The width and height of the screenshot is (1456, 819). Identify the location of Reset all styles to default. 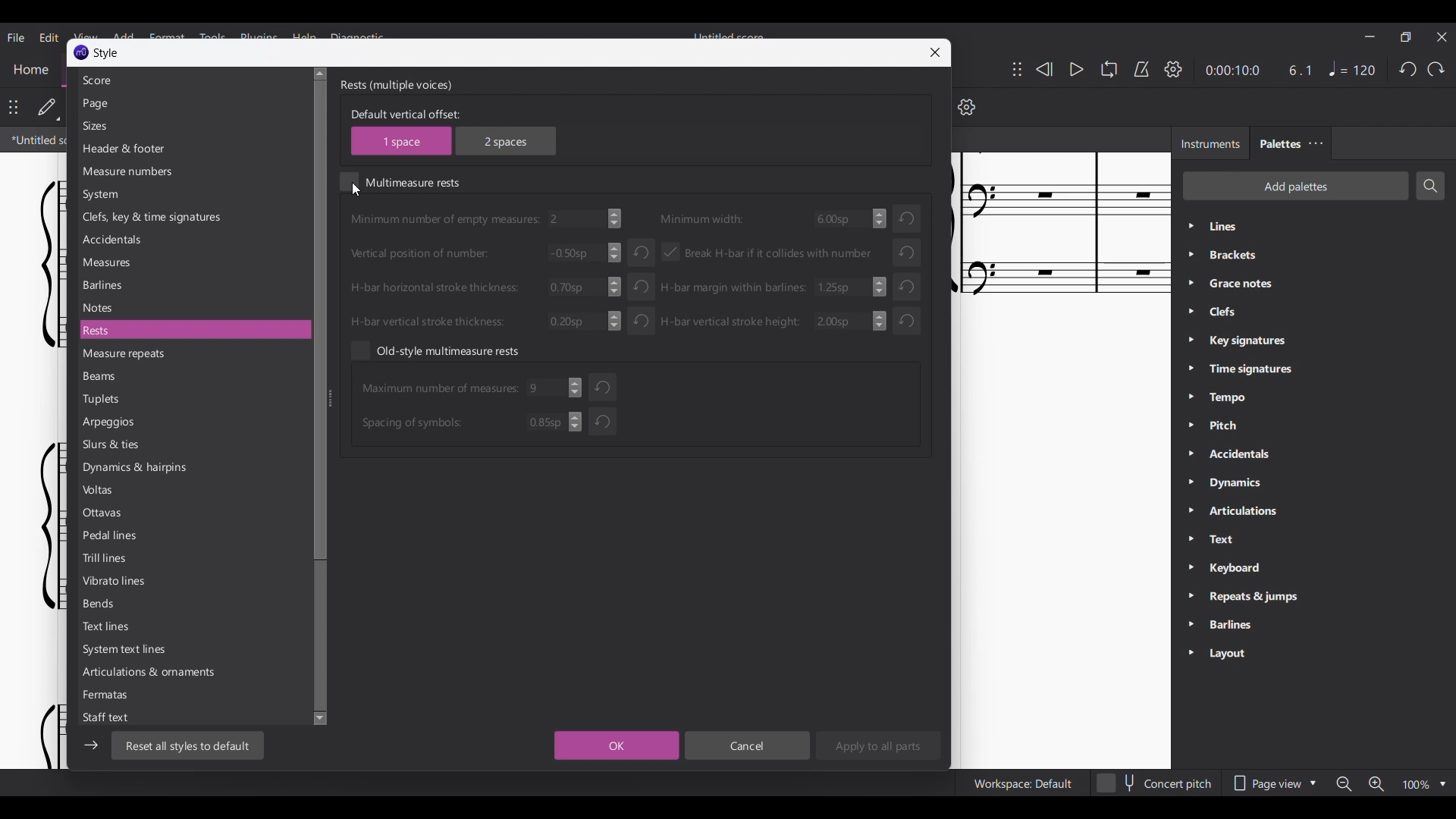
(188, 746).